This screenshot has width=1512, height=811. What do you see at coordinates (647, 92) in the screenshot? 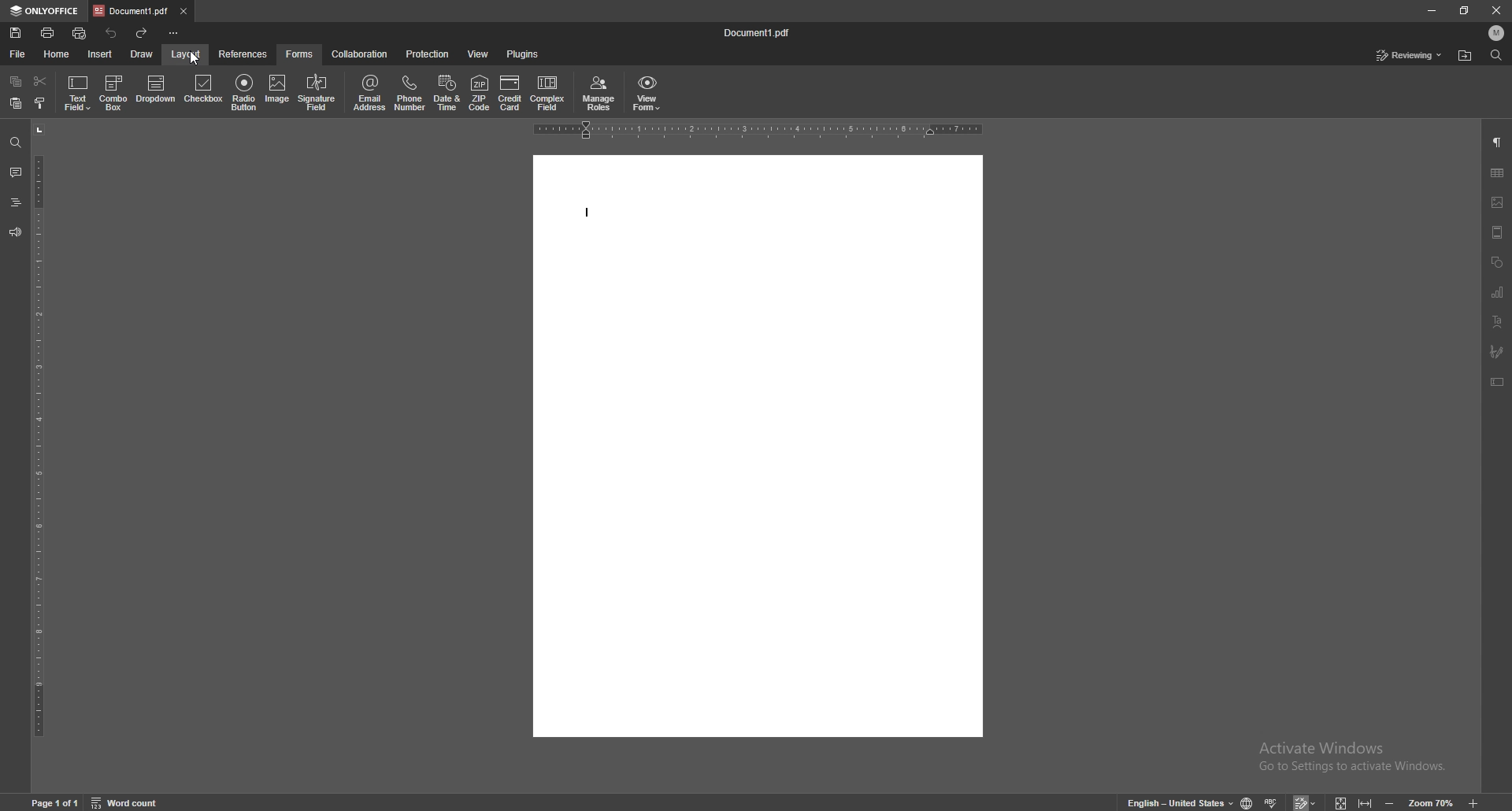
I see `view form` at bounding box center [647, 92].